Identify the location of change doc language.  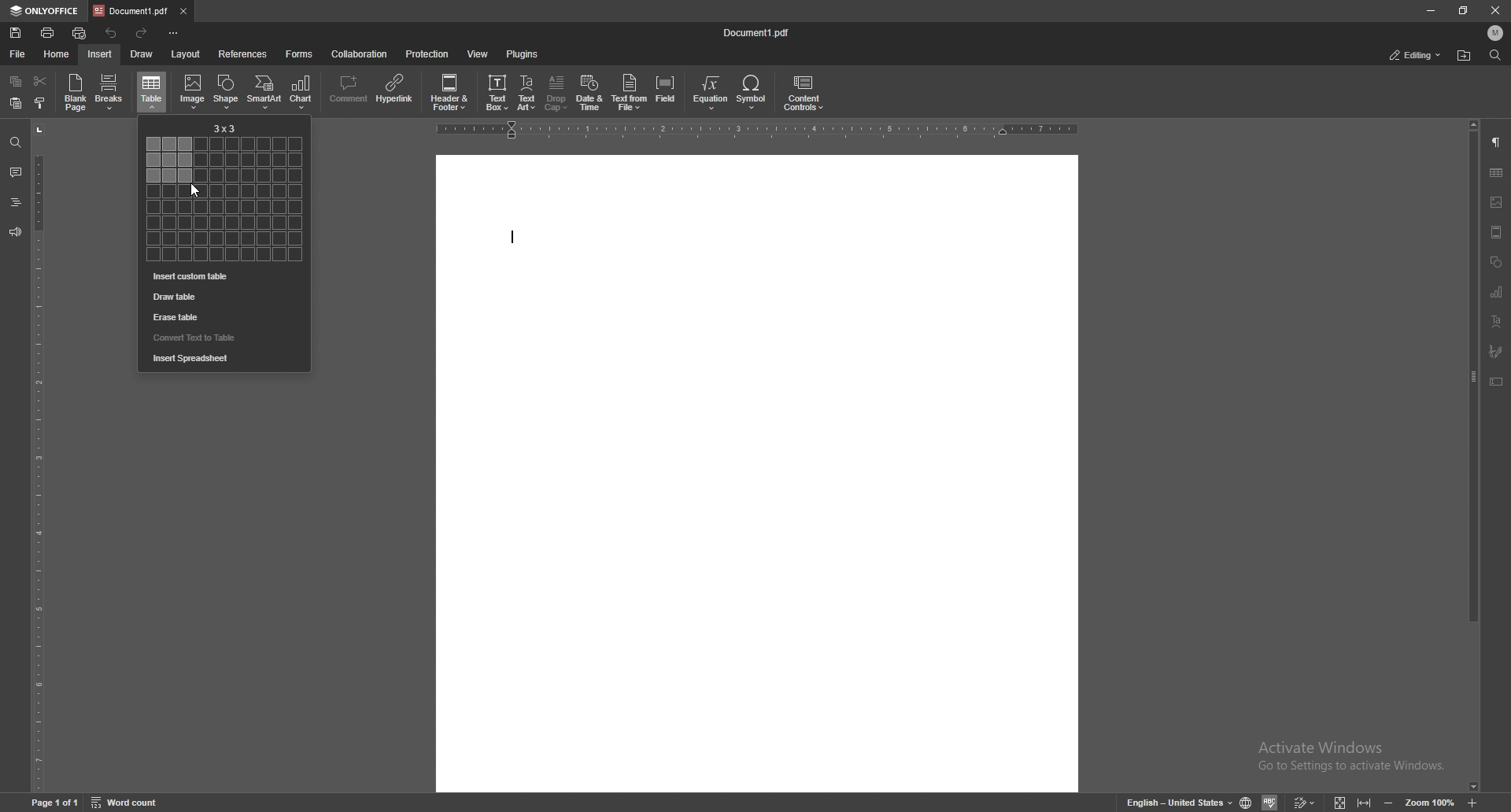
(1247, 801).